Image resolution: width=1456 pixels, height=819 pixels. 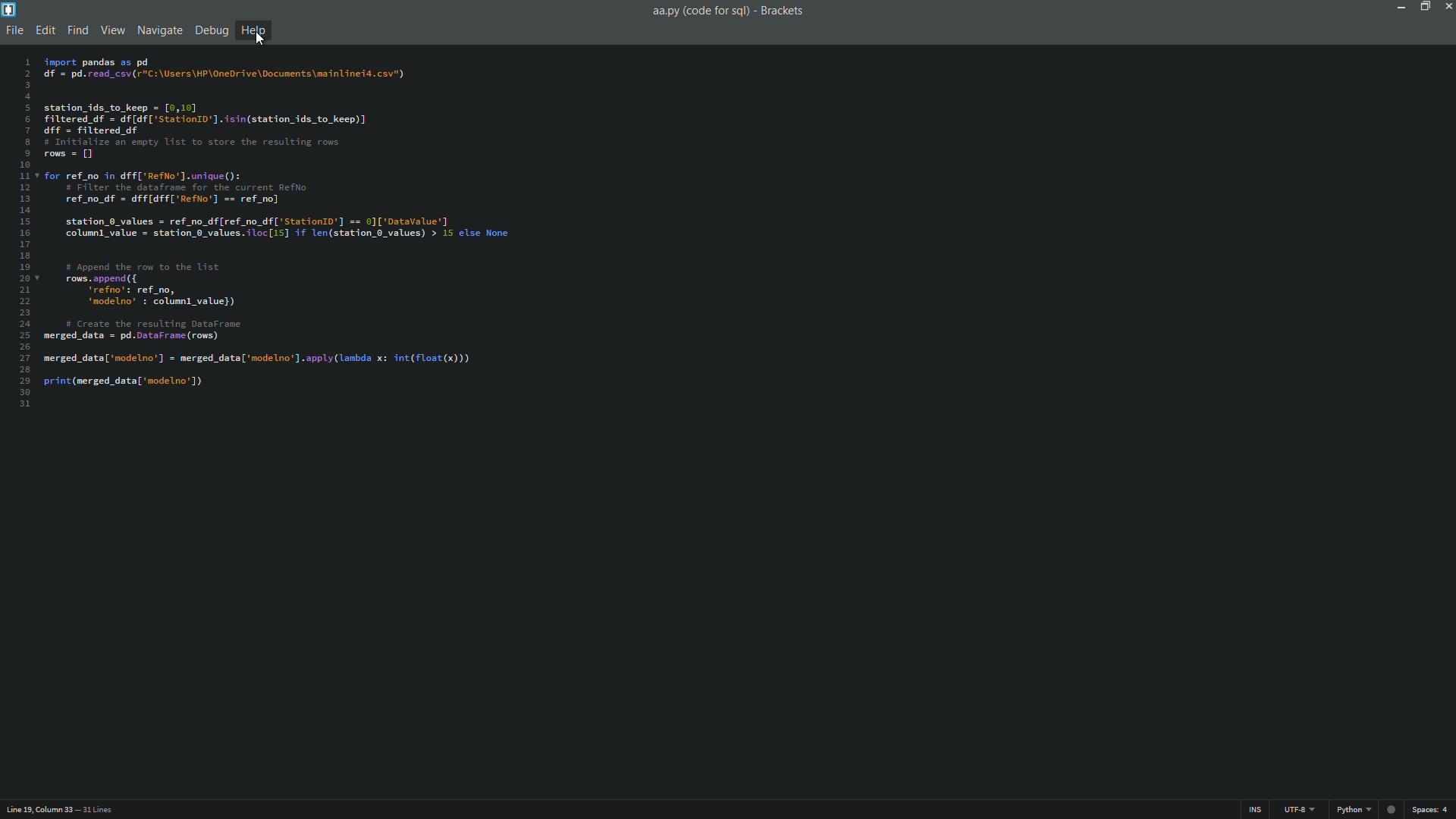 What do you see at coordinates (45, 30) in the screenshot?
I see `edit menu` at bounding box center [45, 30].